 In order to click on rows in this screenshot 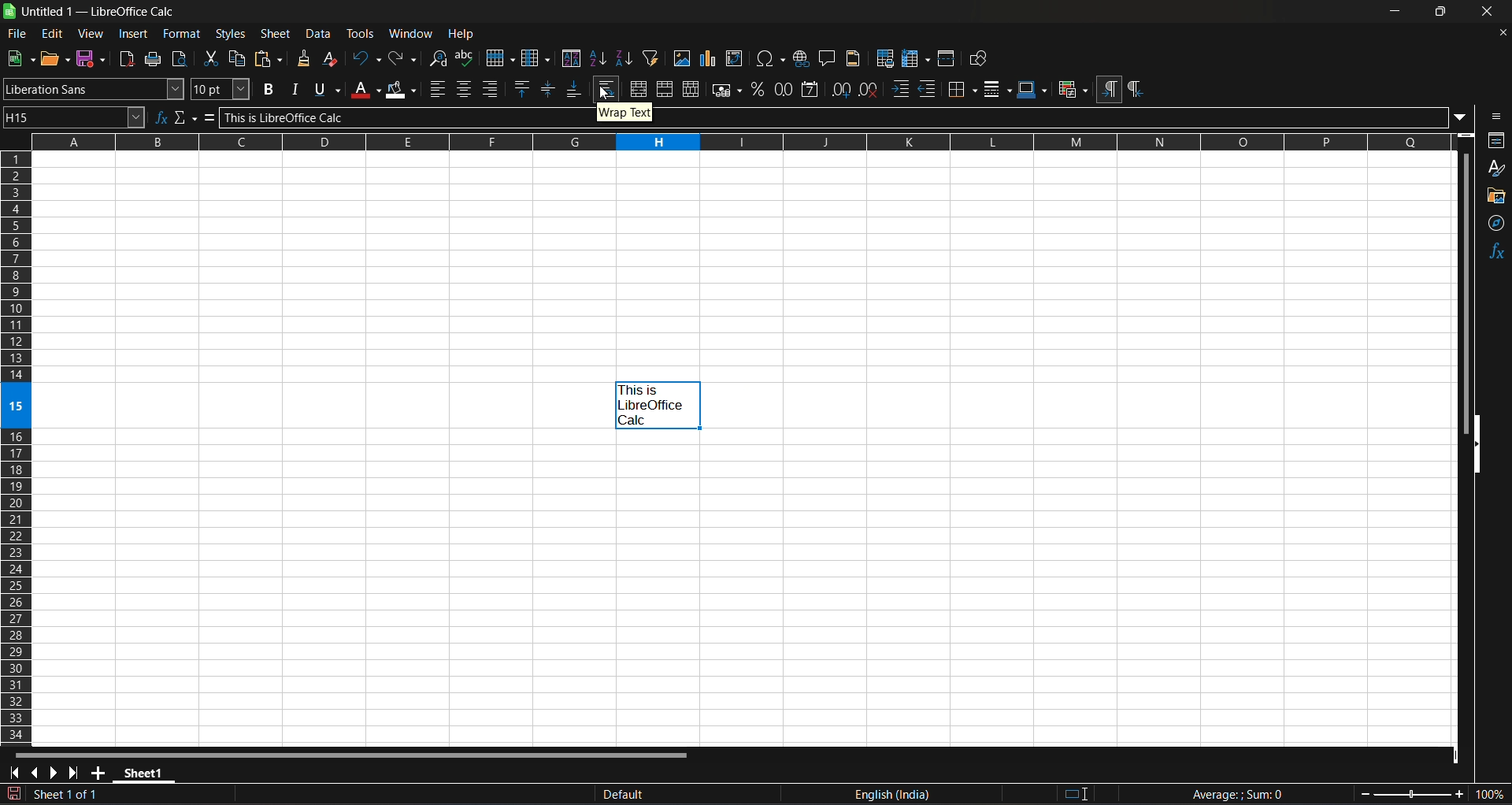, I will do `click(722, 146)`.